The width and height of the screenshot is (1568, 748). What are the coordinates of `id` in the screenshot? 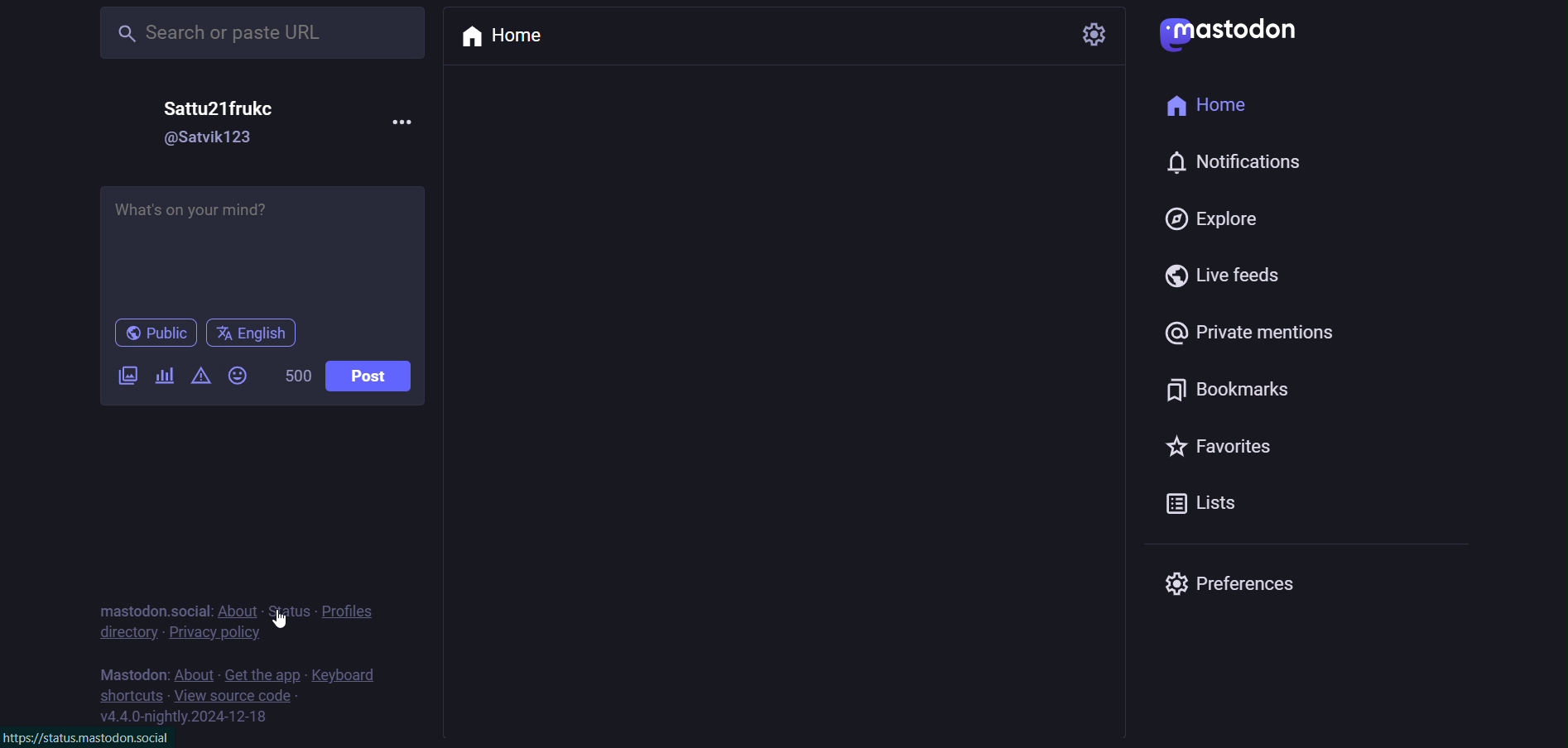 It's located at (218, 146).